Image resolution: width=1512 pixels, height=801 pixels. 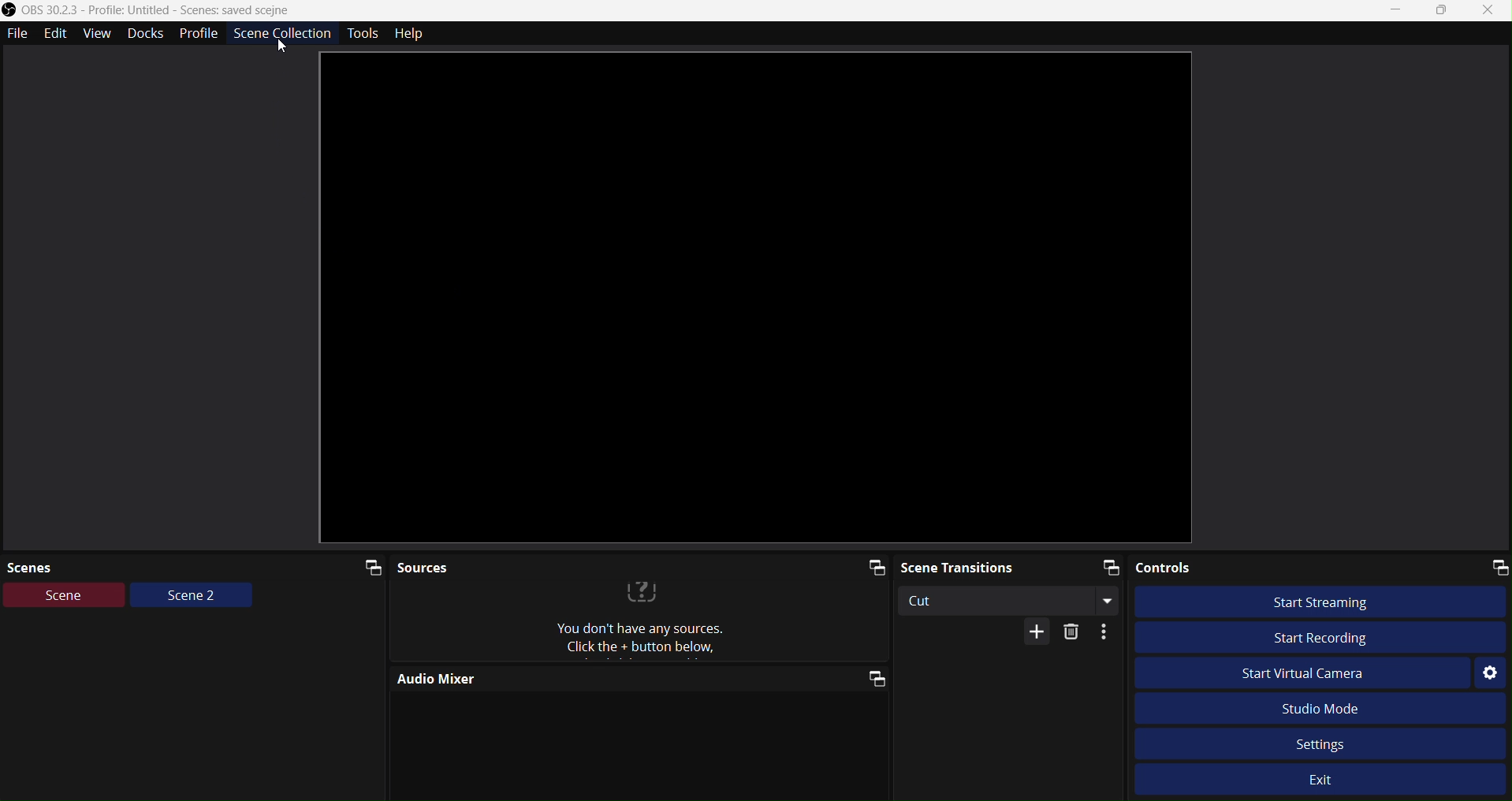 I want to click on Controls, so click(x=1322, y=568).